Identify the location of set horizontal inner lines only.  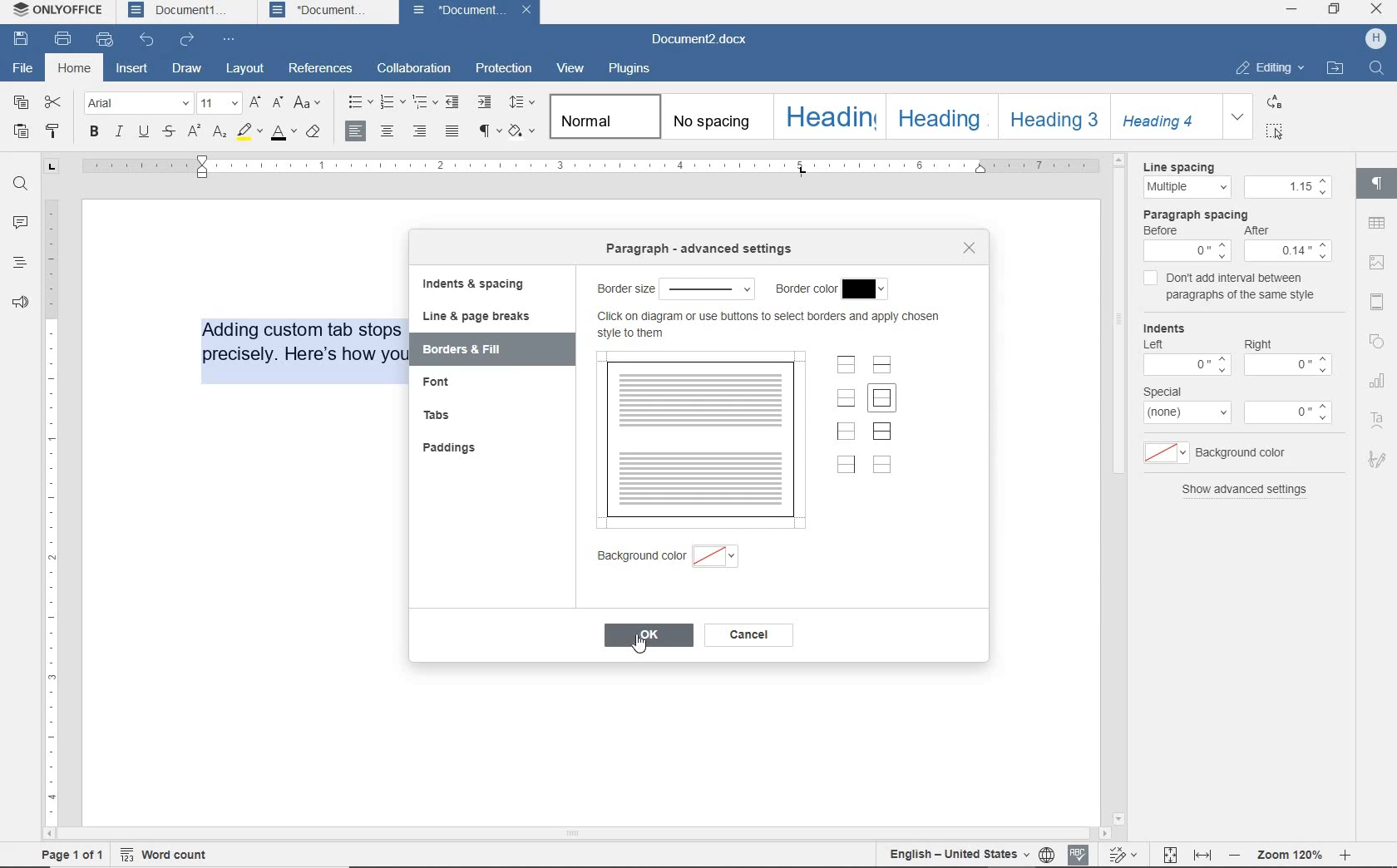
(884, 365).